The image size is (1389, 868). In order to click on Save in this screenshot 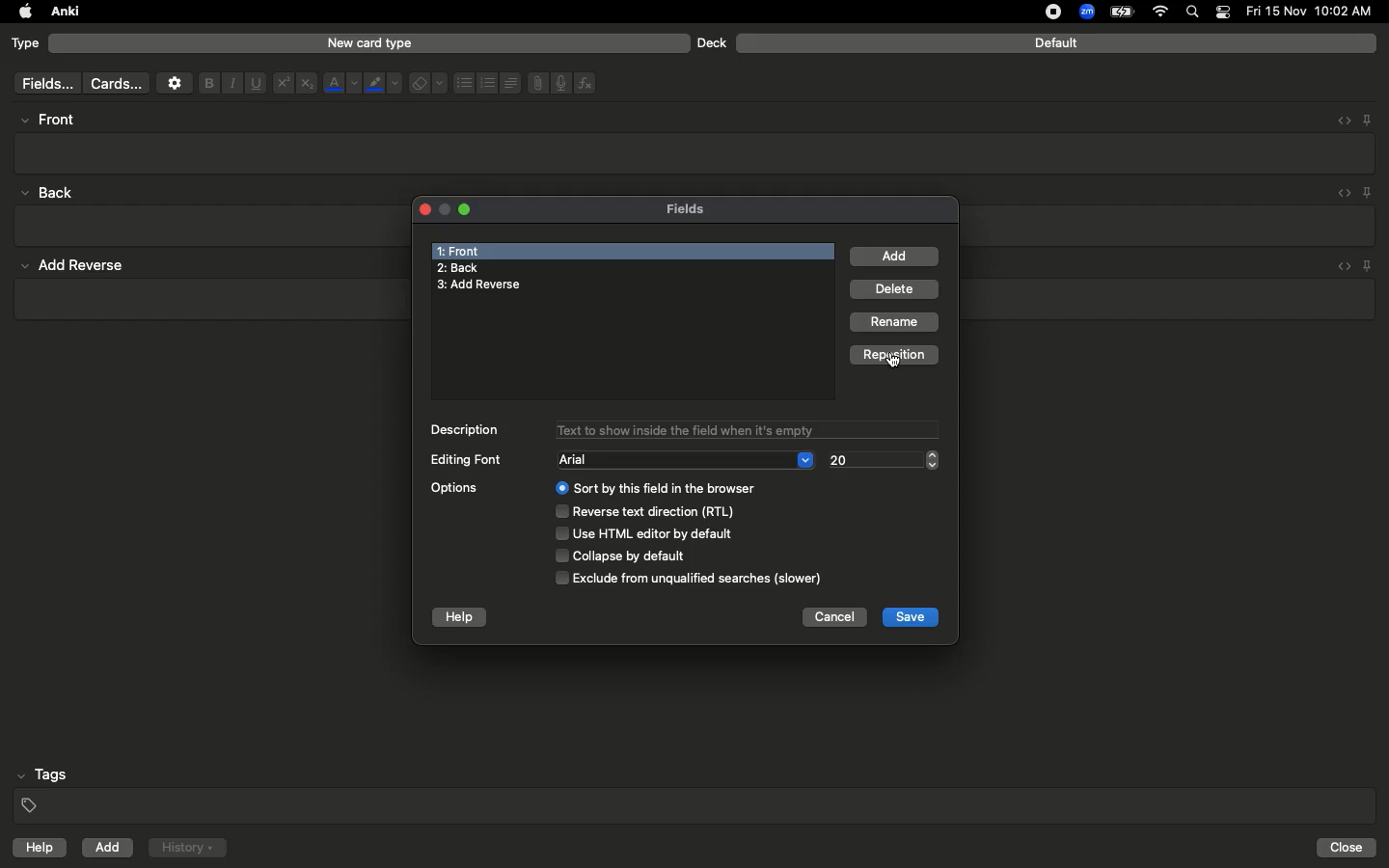, I will do `click(912, 616)`.